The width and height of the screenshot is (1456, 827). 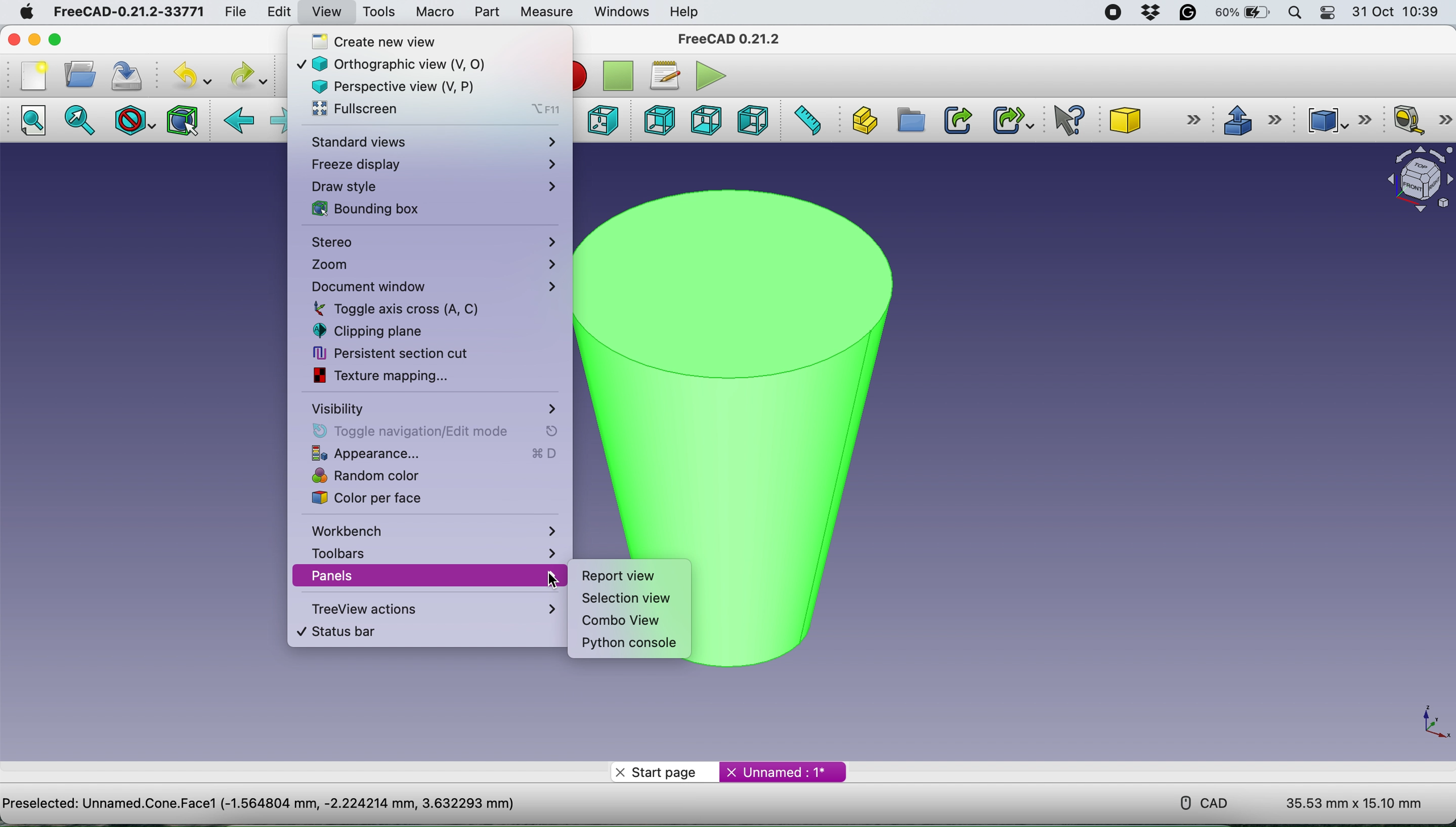 What do you see at coordinates (658, 122) in the screenshot?
I see `rear` at bounding box center [658, 122].